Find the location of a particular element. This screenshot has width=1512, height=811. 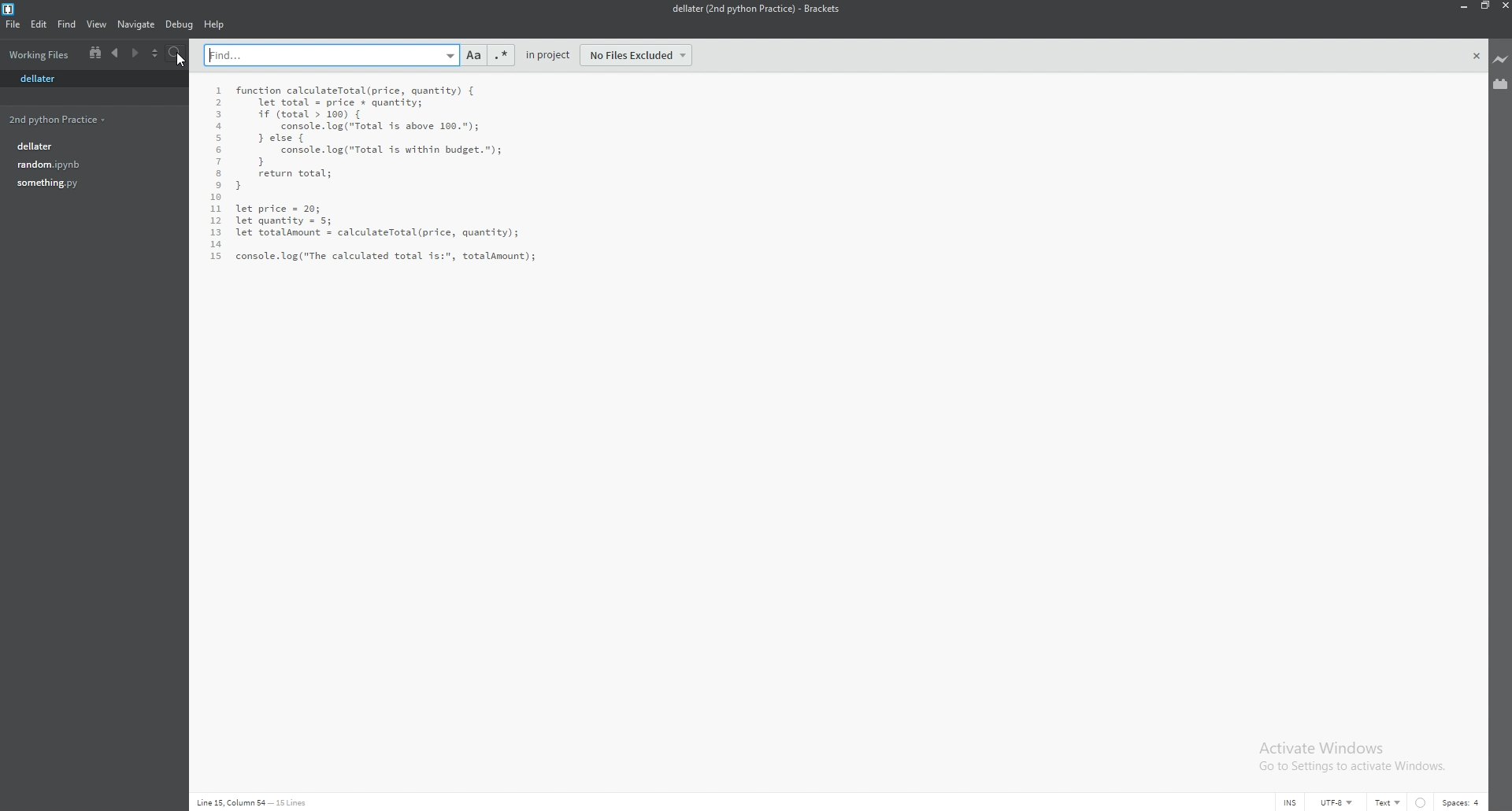

2 is located at coordinates (217, 103).